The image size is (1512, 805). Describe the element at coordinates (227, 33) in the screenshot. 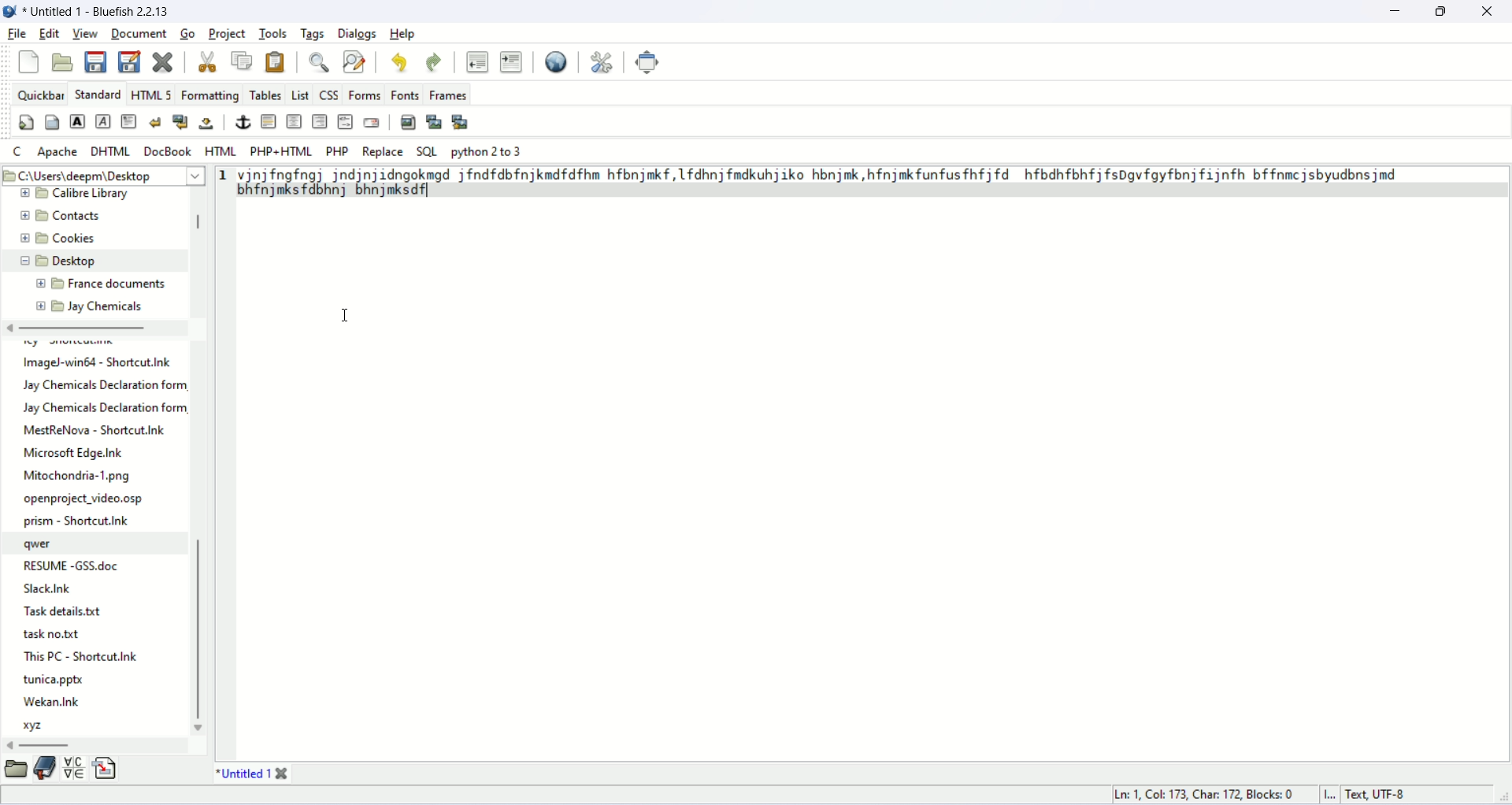

I see `project` at that location.